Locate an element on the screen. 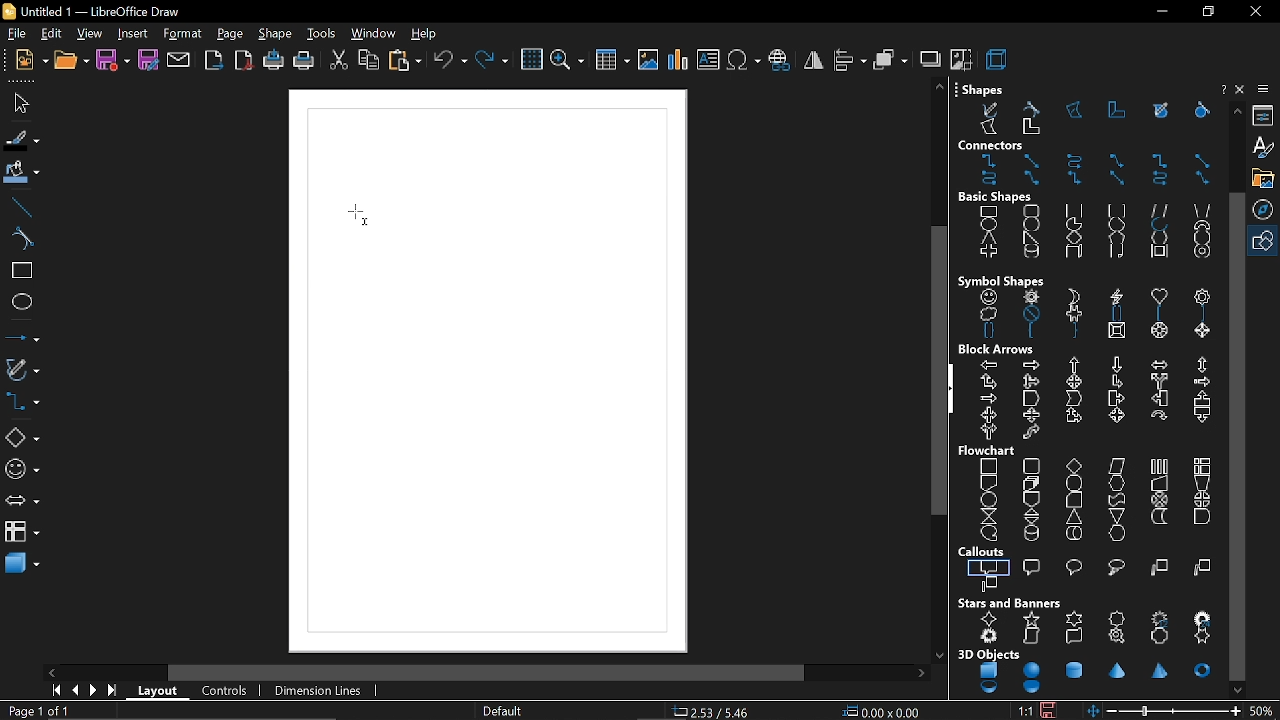 Image resolution: width=1280 pixels, height=720 pixels. vertical scroll bar is located at coordinates (939, 372).